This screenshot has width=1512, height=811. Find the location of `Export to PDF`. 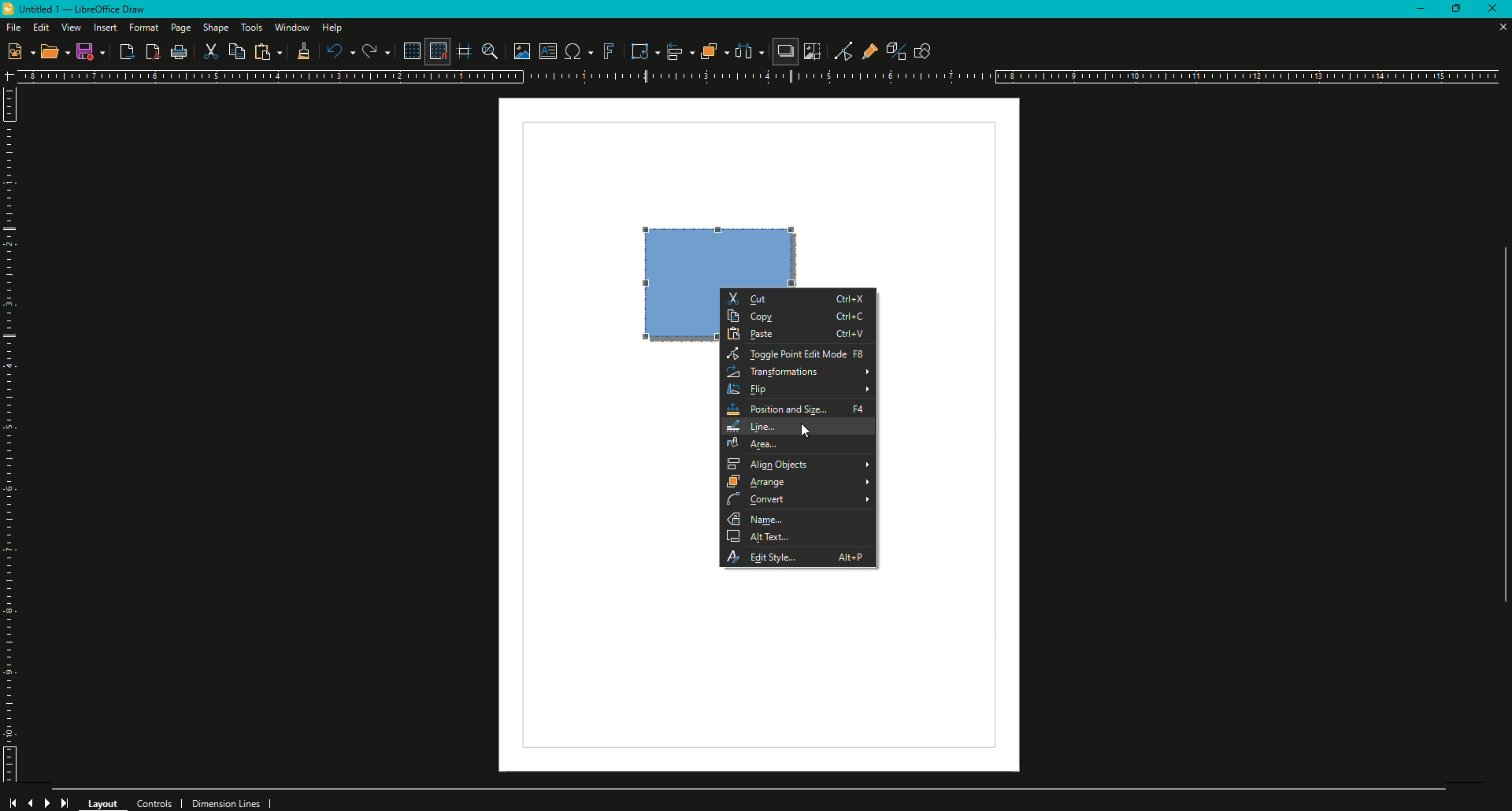

Export to PDF is located at coordinates (150, 52).